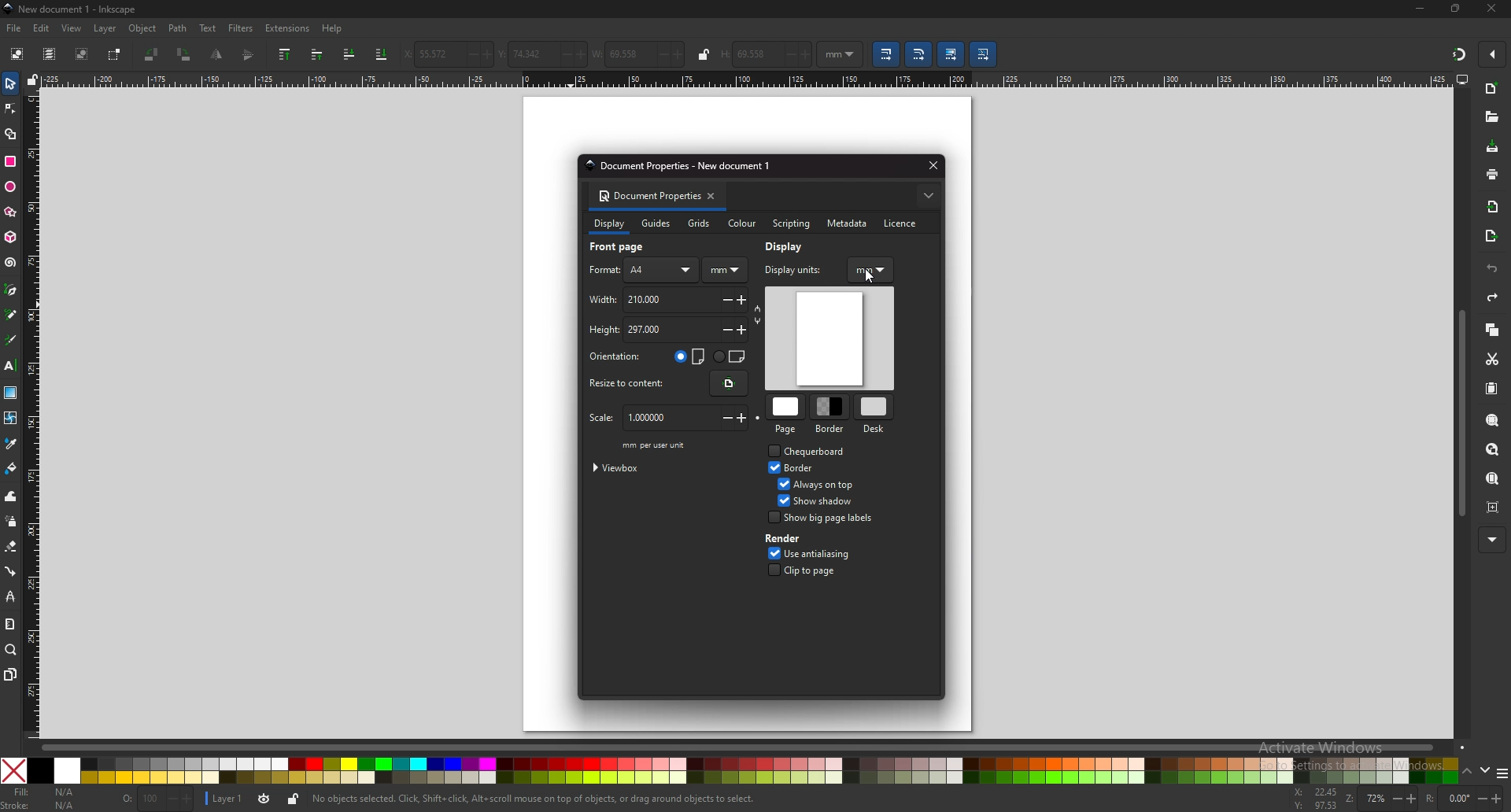 The width and height of the screenshot is (1511, 812). I want to click on cursor coordinates x-axis, so click(1313, 793).